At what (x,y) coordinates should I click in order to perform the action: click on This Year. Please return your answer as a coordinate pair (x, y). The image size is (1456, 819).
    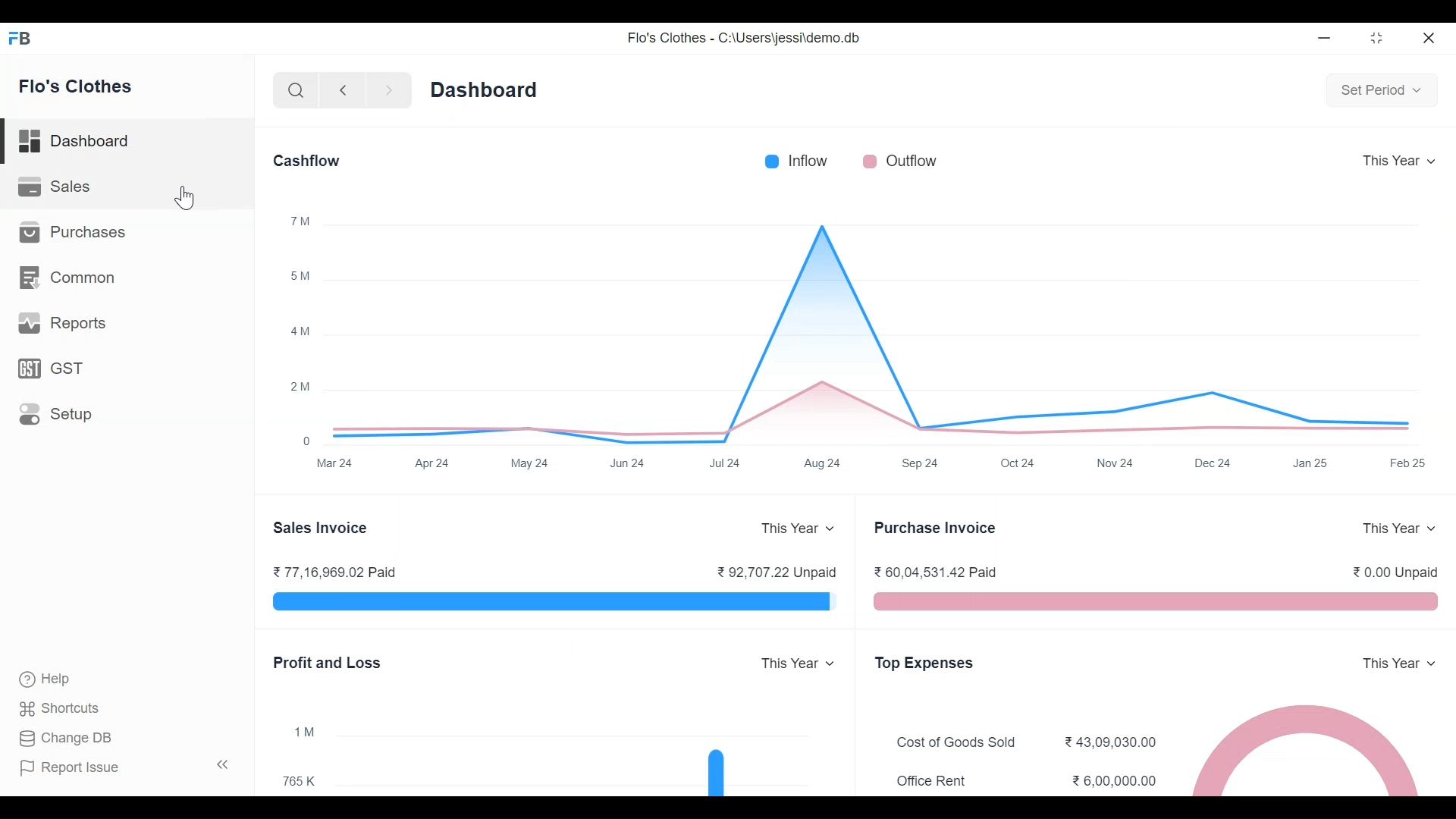
    Looking at the image, I should click on (1389, 664).